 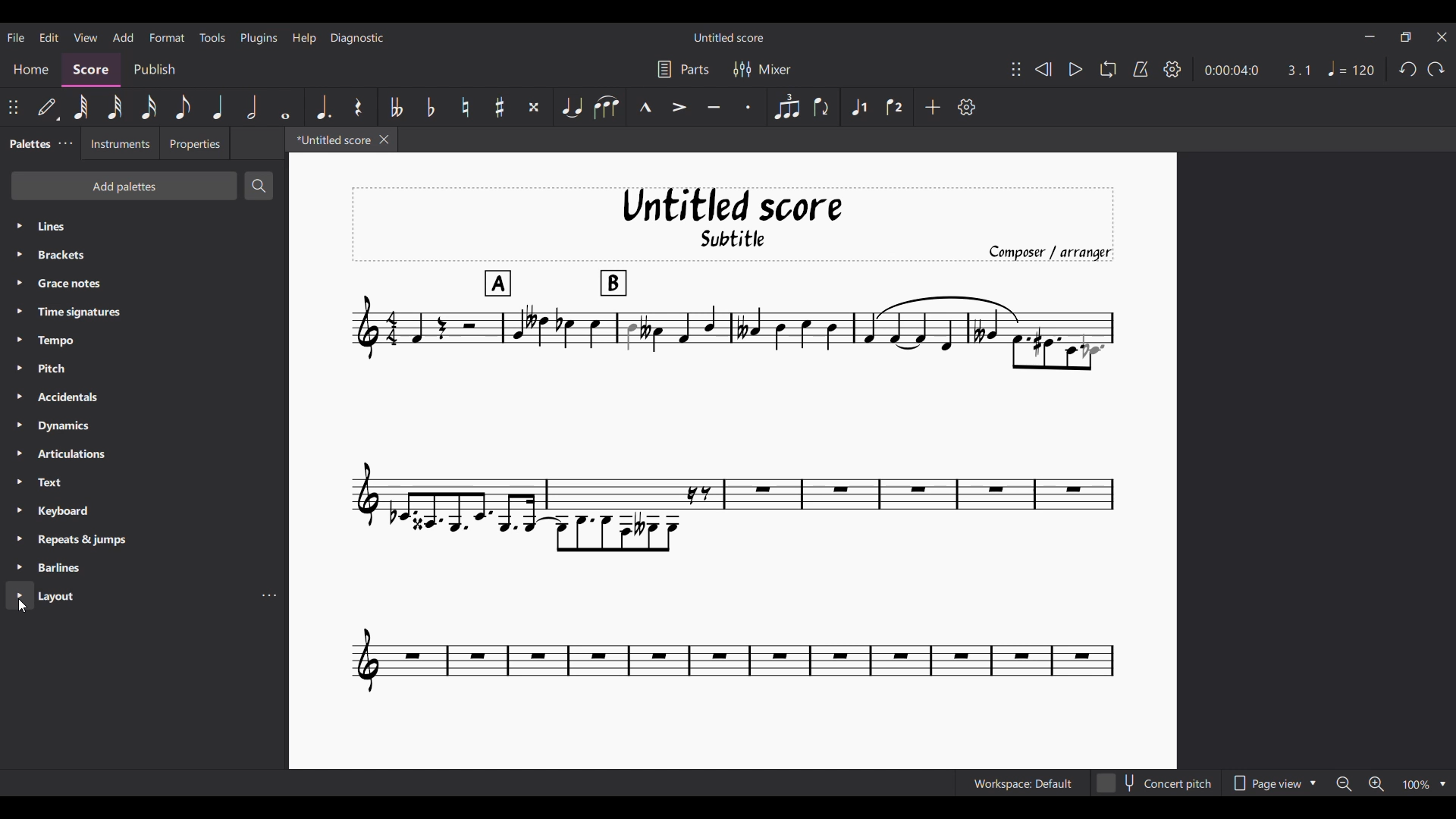 I want to click on Instruments, so click(x=119, y=143).